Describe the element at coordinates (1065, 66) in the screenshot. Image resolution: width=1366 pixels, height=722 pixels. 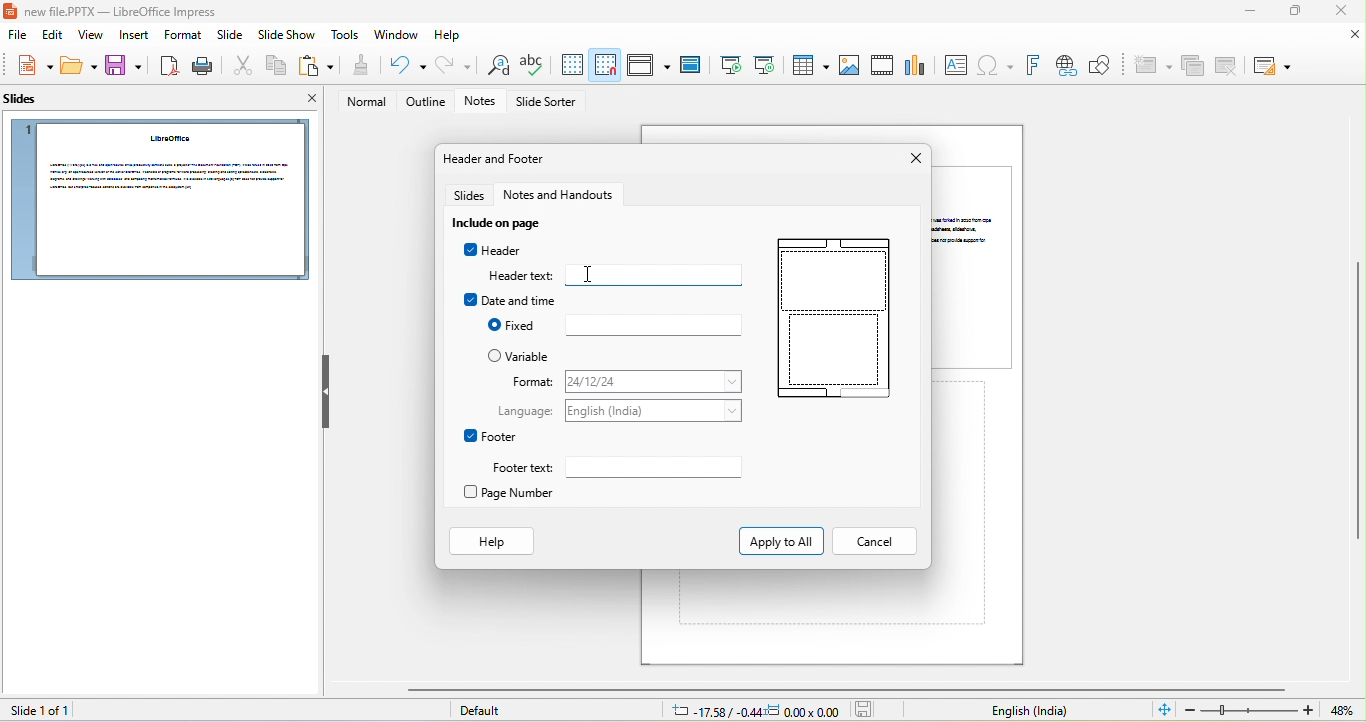
I see `hyperlink` at that location.